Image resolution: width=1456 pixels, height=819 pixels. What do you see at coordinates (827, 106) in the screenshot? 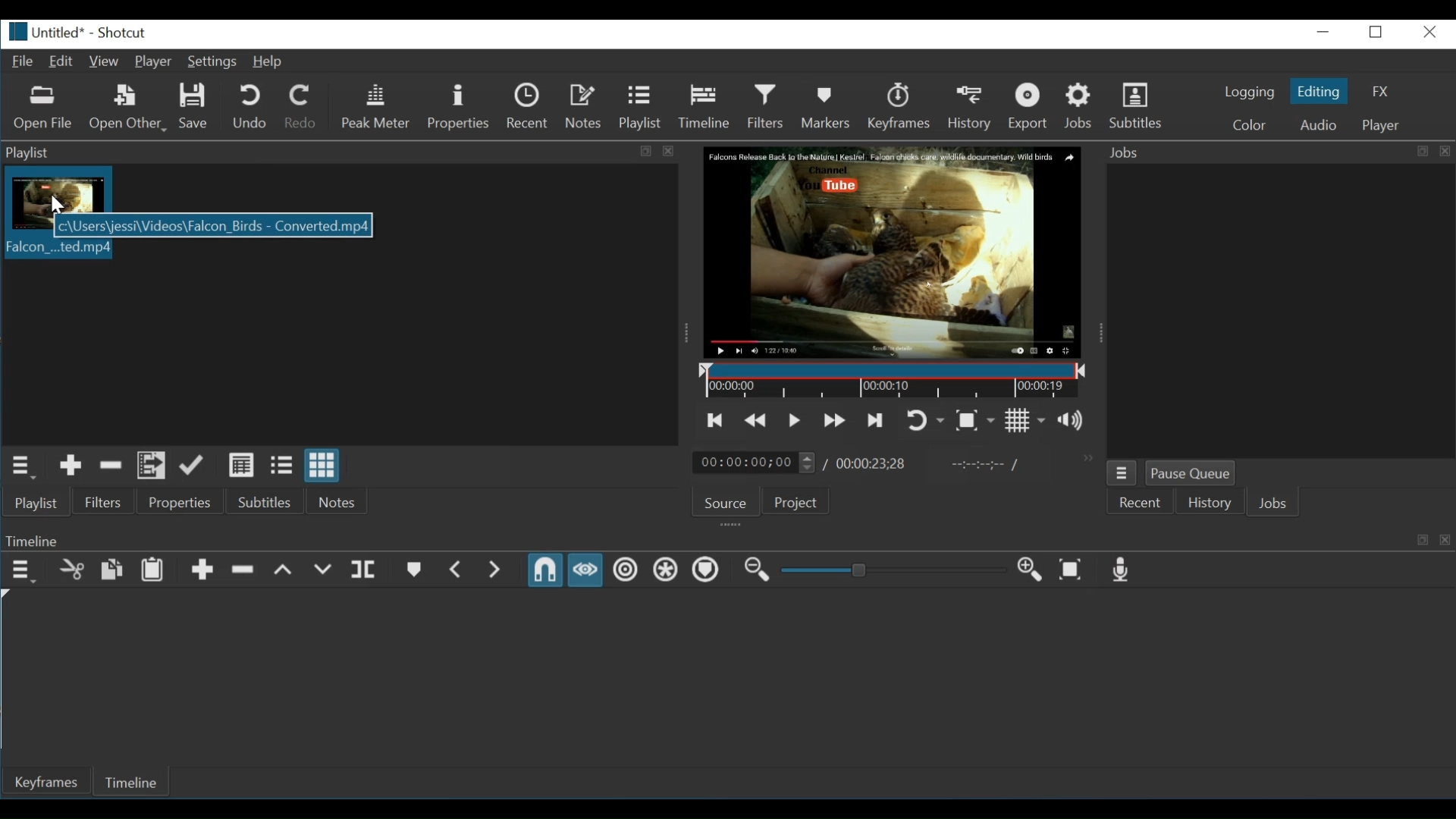
I see `Markers` at bounding box center [827, 106].